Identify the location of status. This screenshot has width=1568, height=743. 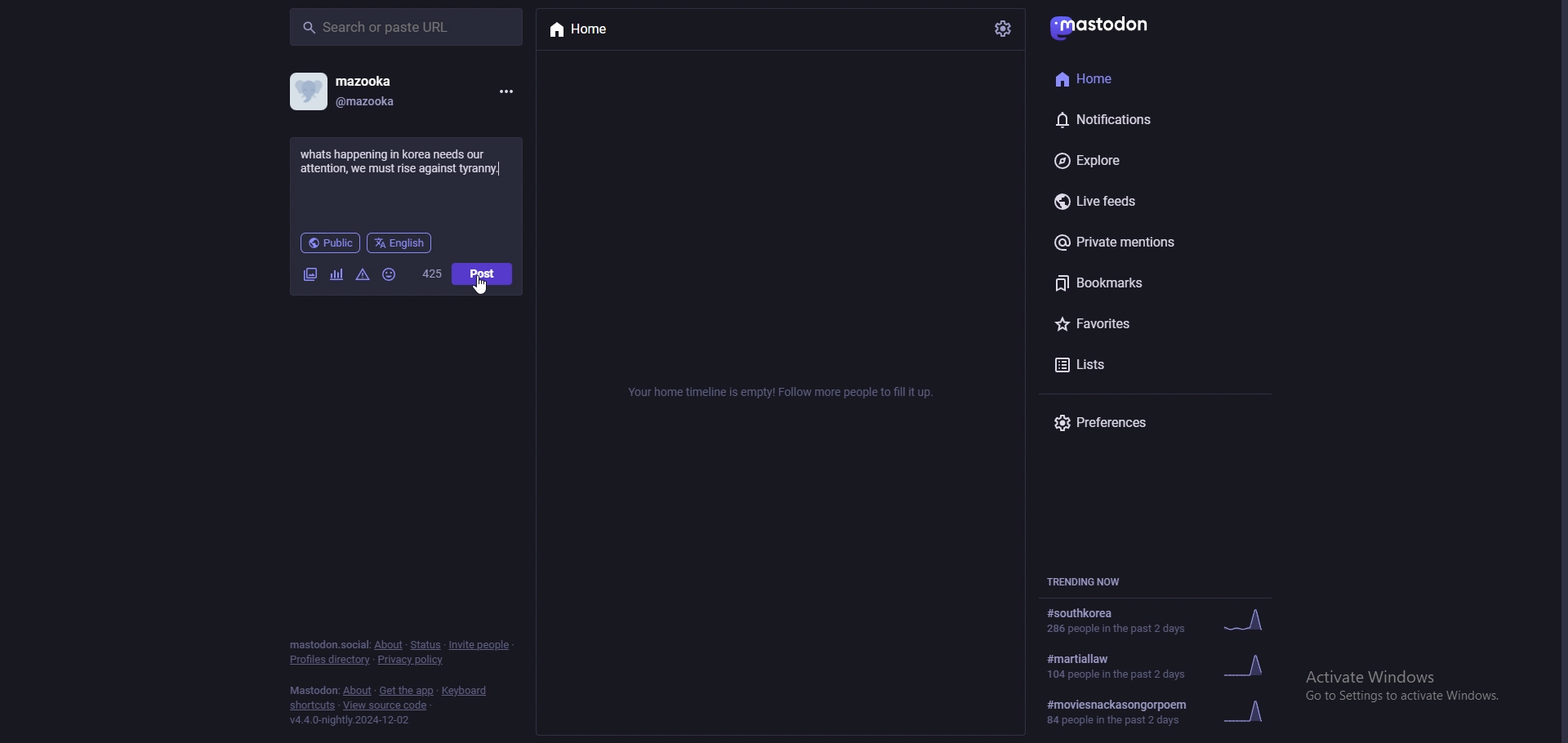
(405, 162).